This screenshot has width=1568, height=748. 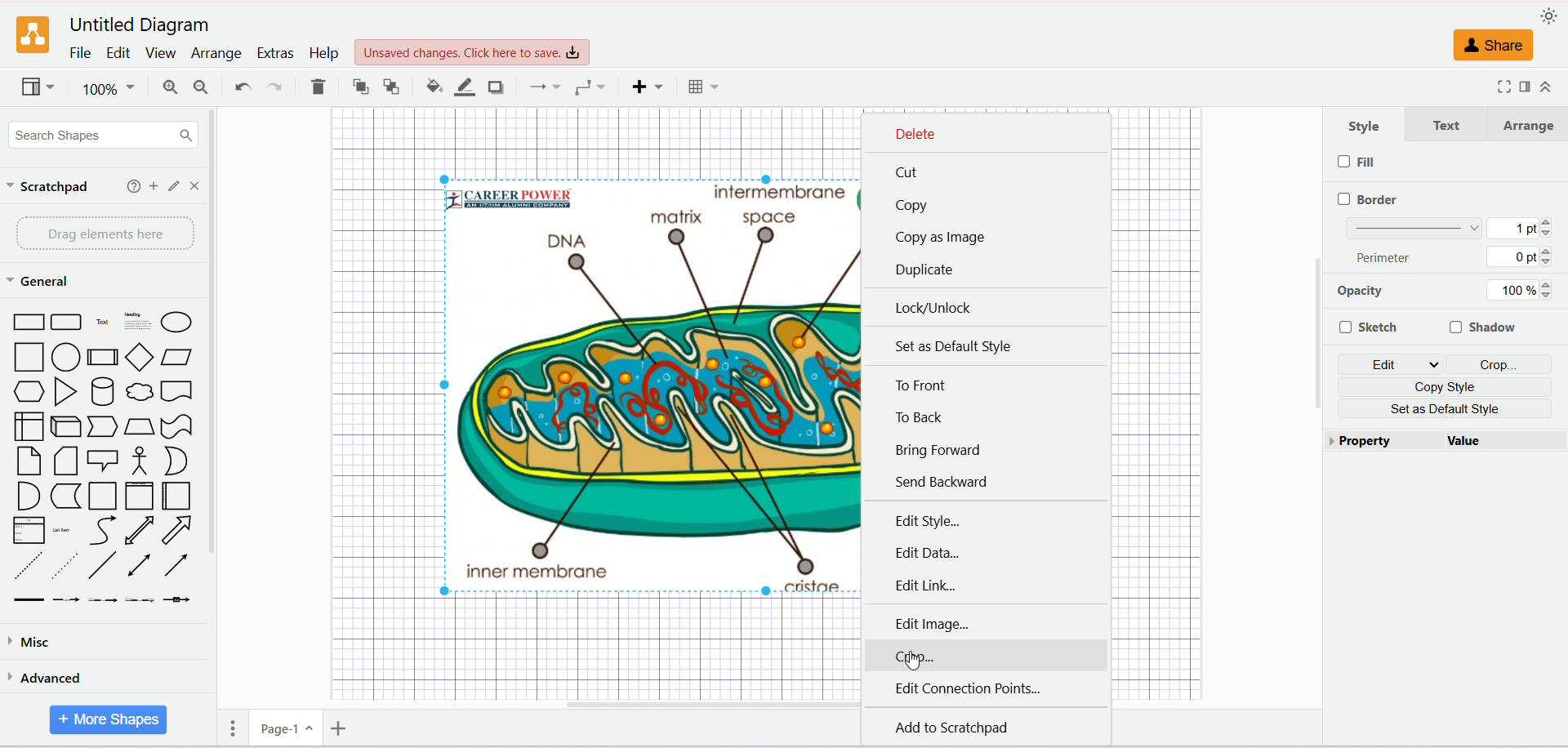 What do you see at coordinates (170, 88) in the screenshot?
I see `zoom in` at bounding box center [170, 88].